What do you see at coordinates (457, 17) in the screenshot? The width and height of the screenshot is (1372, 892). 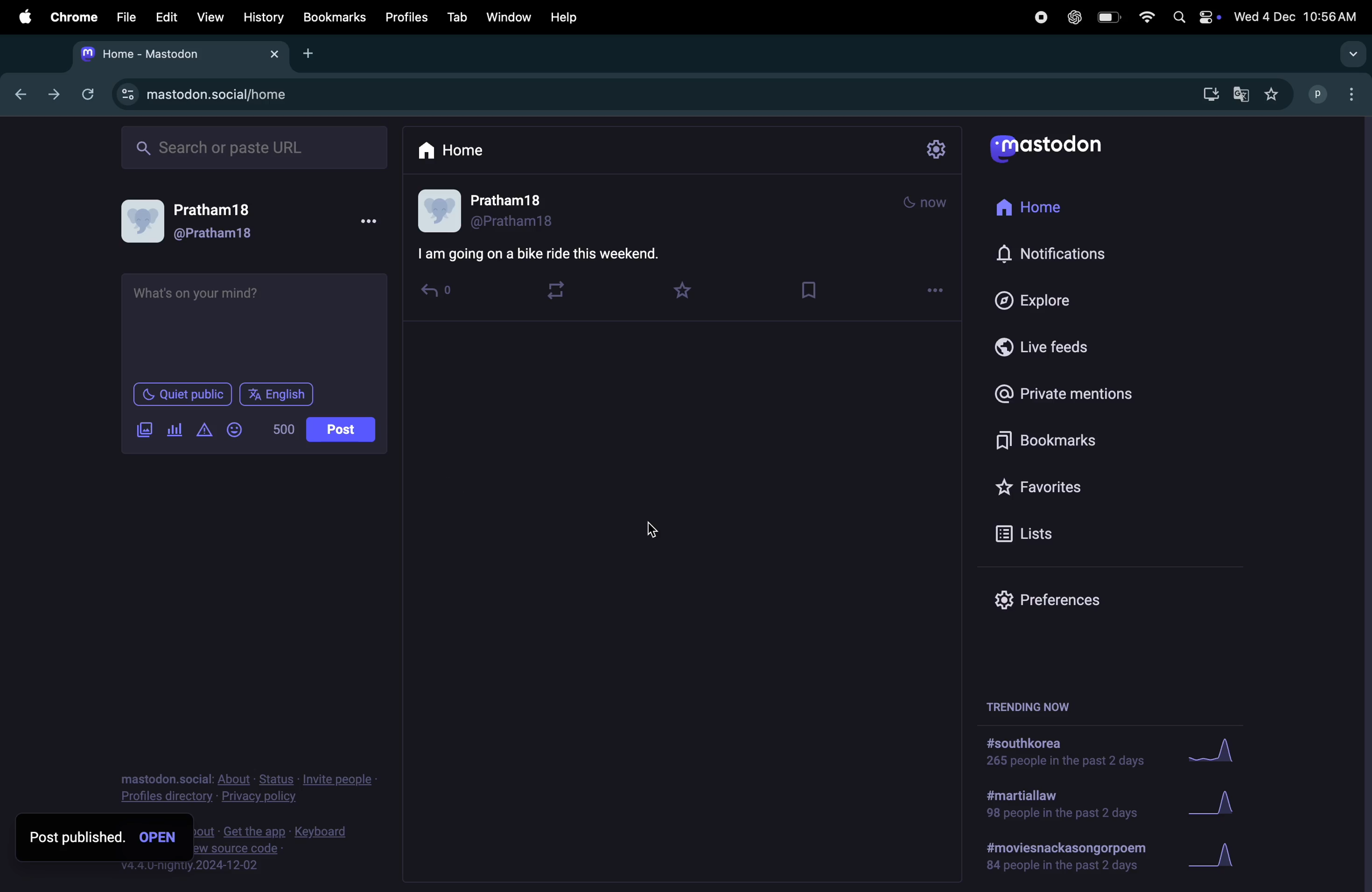 I see `Tab` at bounding box center [457, 17].